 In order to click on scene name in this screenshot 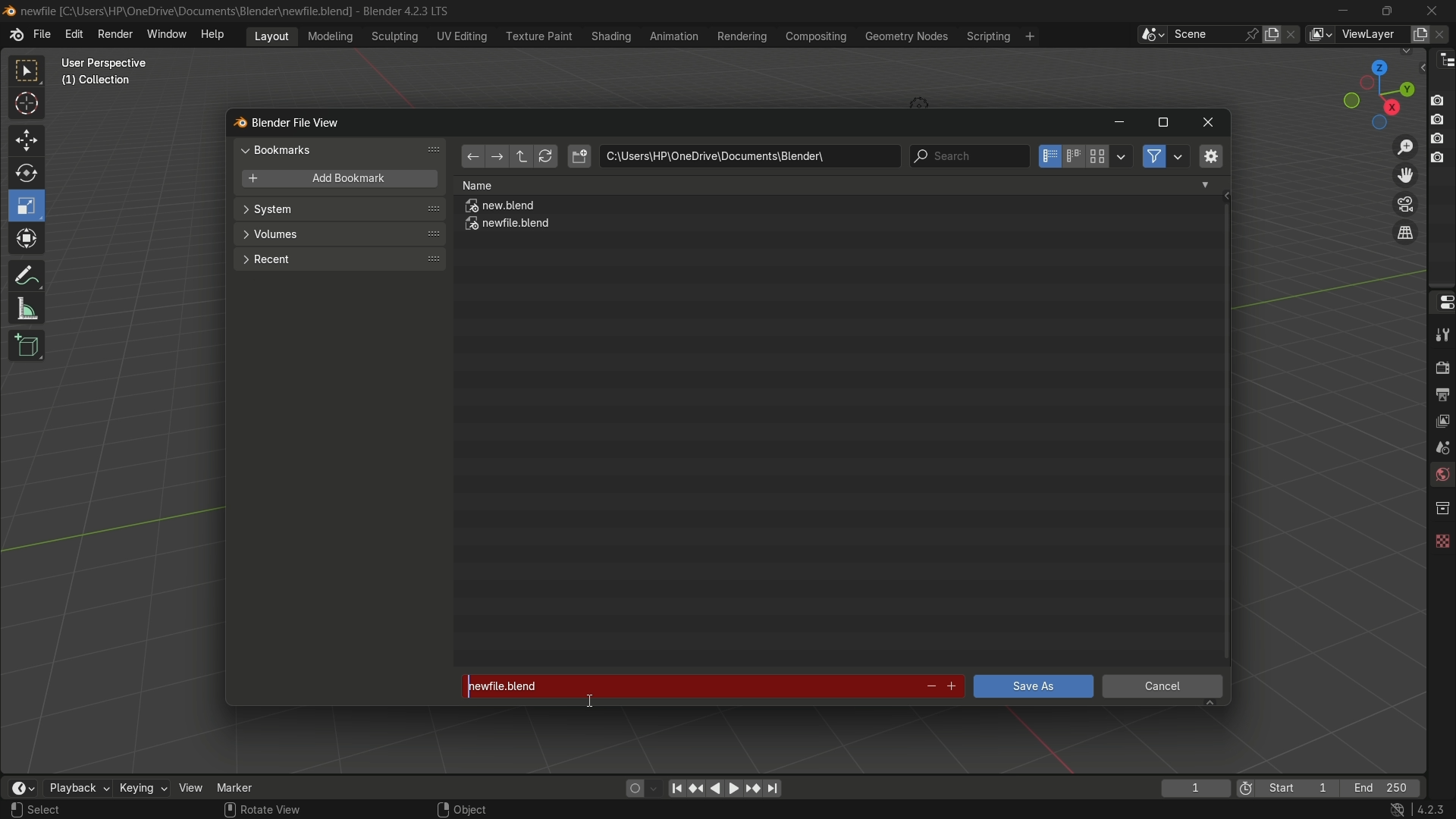, I will do `click(1205, 33)`.